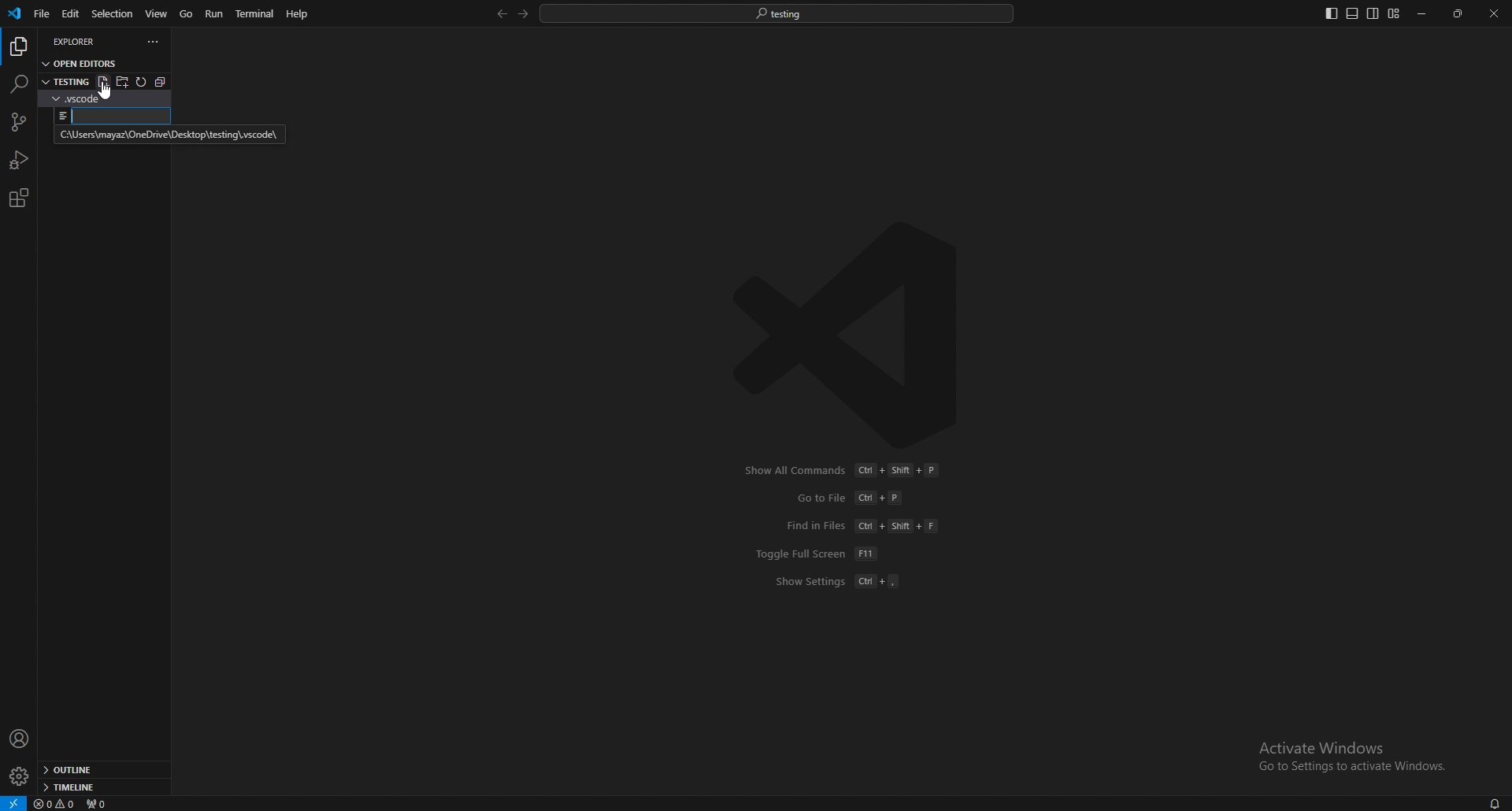 This screenshot has width=1512, height=811. Describe the element at coordinates (111, 116) in the screenshot. I see `file name` at that location.